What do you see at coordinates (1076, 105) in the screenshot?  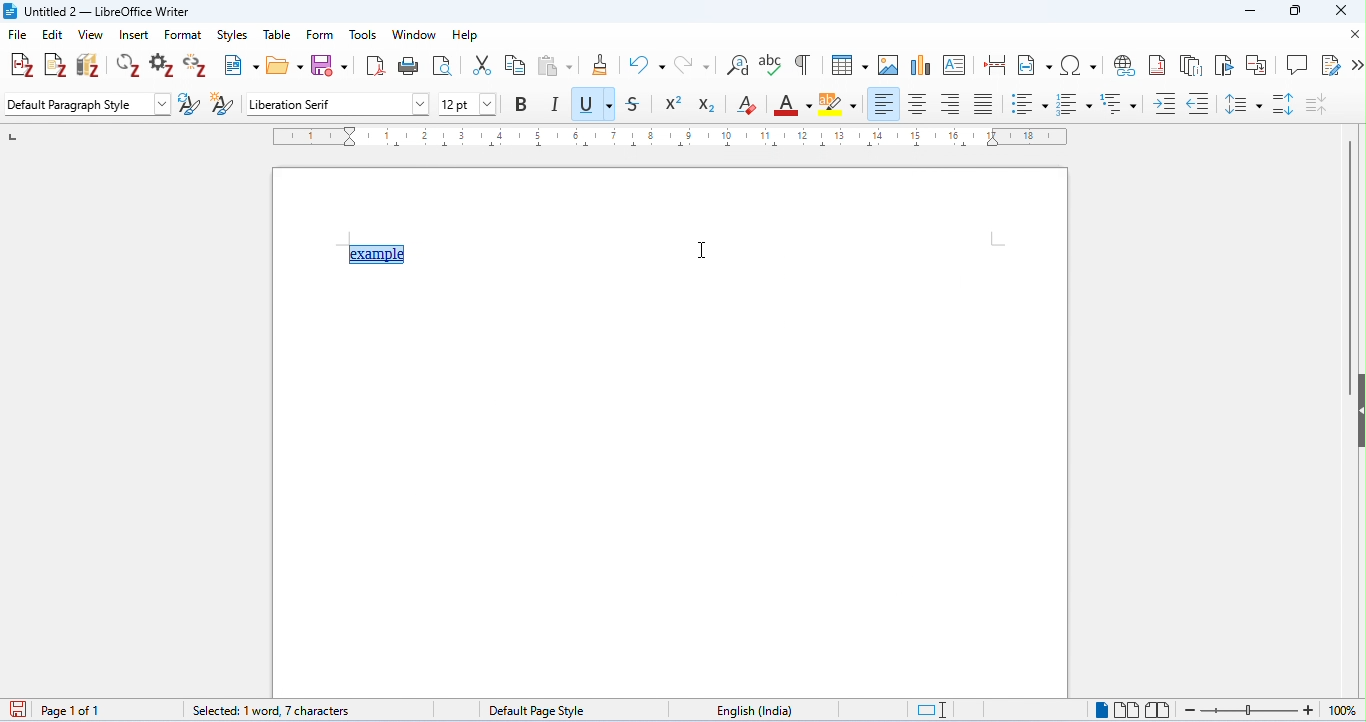 I see `numbered style` at bounding box center [1076, 105].